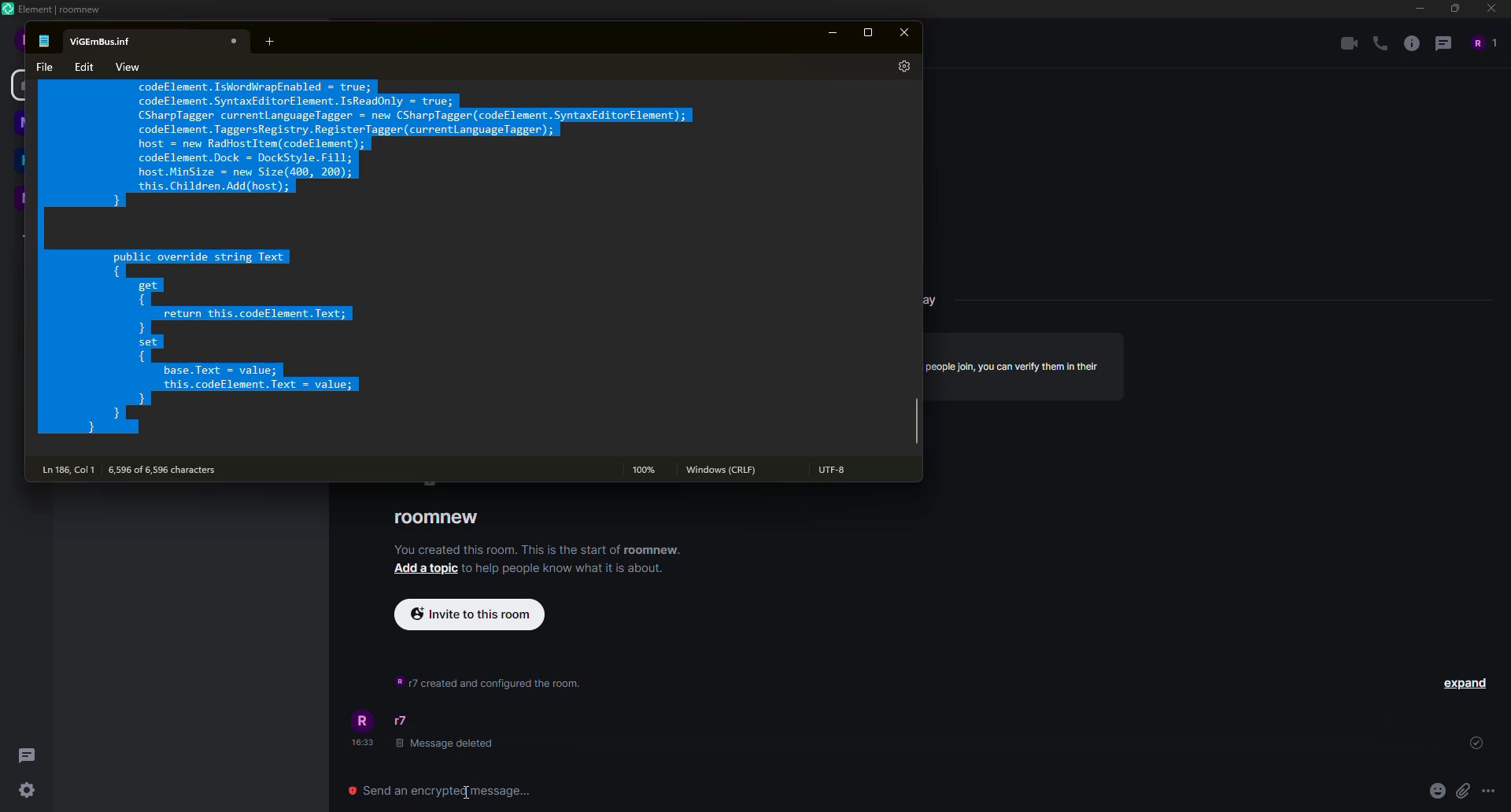 Image resolution: width=1511 pixels, height=812 pixels. Describe the element at coordinates (463, 792) in the screenshot. I see `cursor` at that location.